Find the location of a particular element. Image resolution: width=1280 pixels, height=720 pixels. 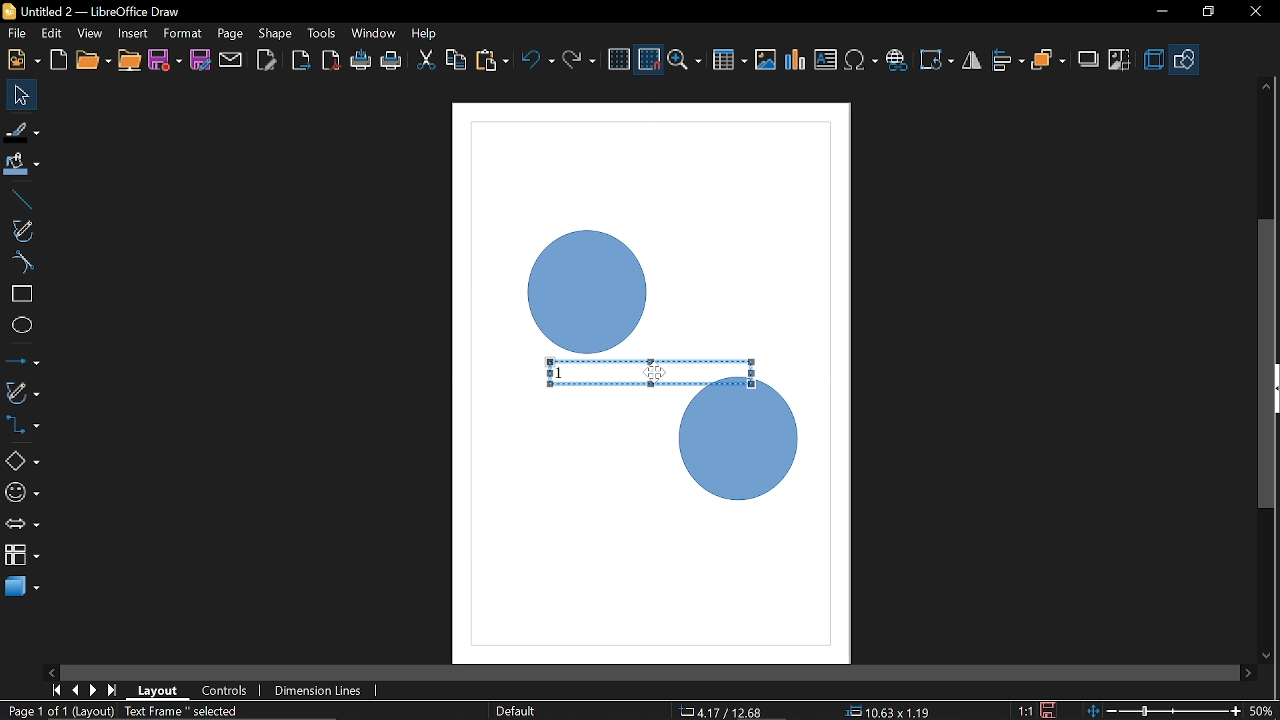

Paste is located at coordinates (491, 61).